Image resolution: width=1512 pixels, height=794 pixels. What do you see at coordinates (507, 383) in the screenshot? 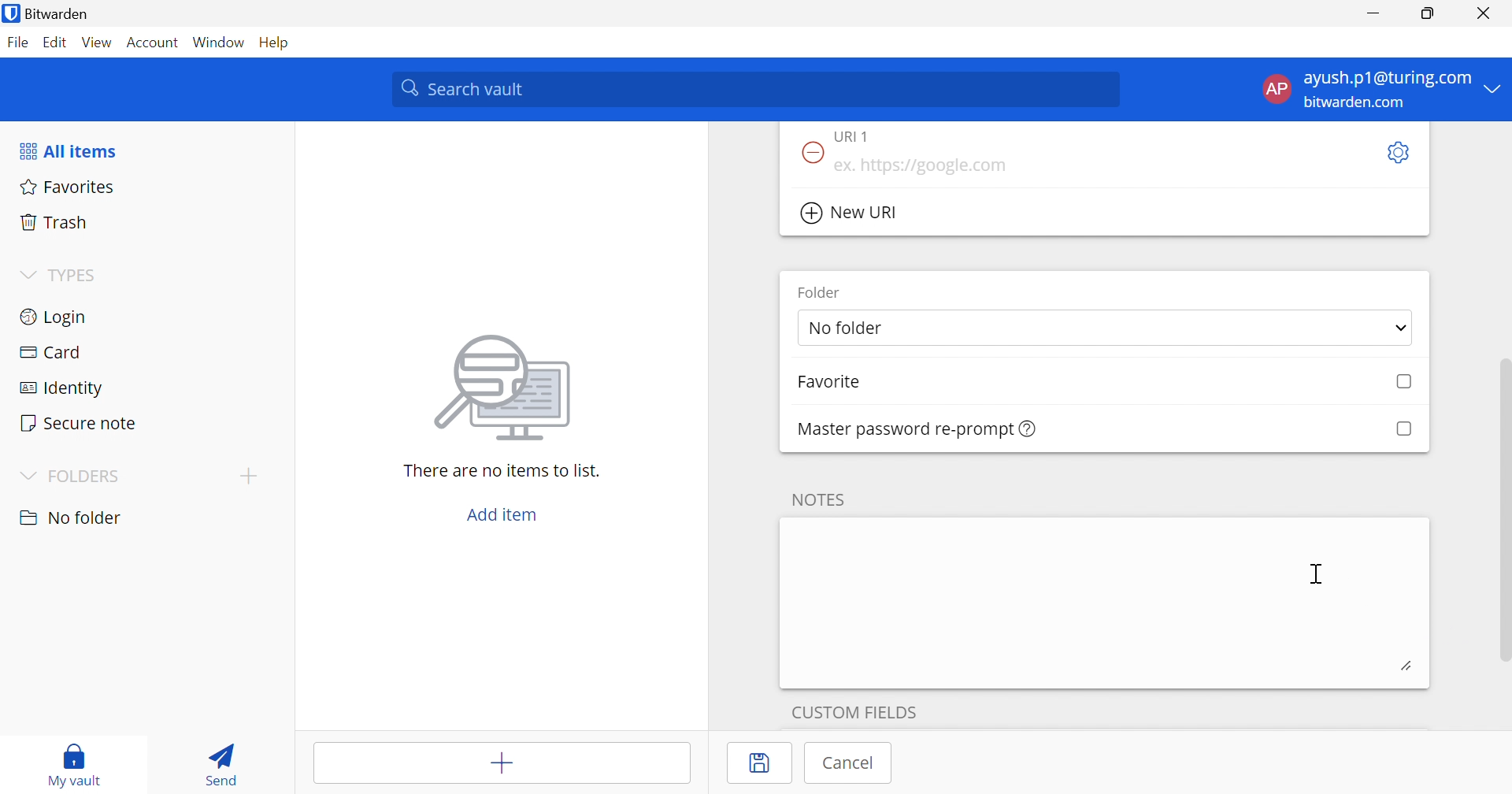
I see `image` at bounding box center [507, 383].